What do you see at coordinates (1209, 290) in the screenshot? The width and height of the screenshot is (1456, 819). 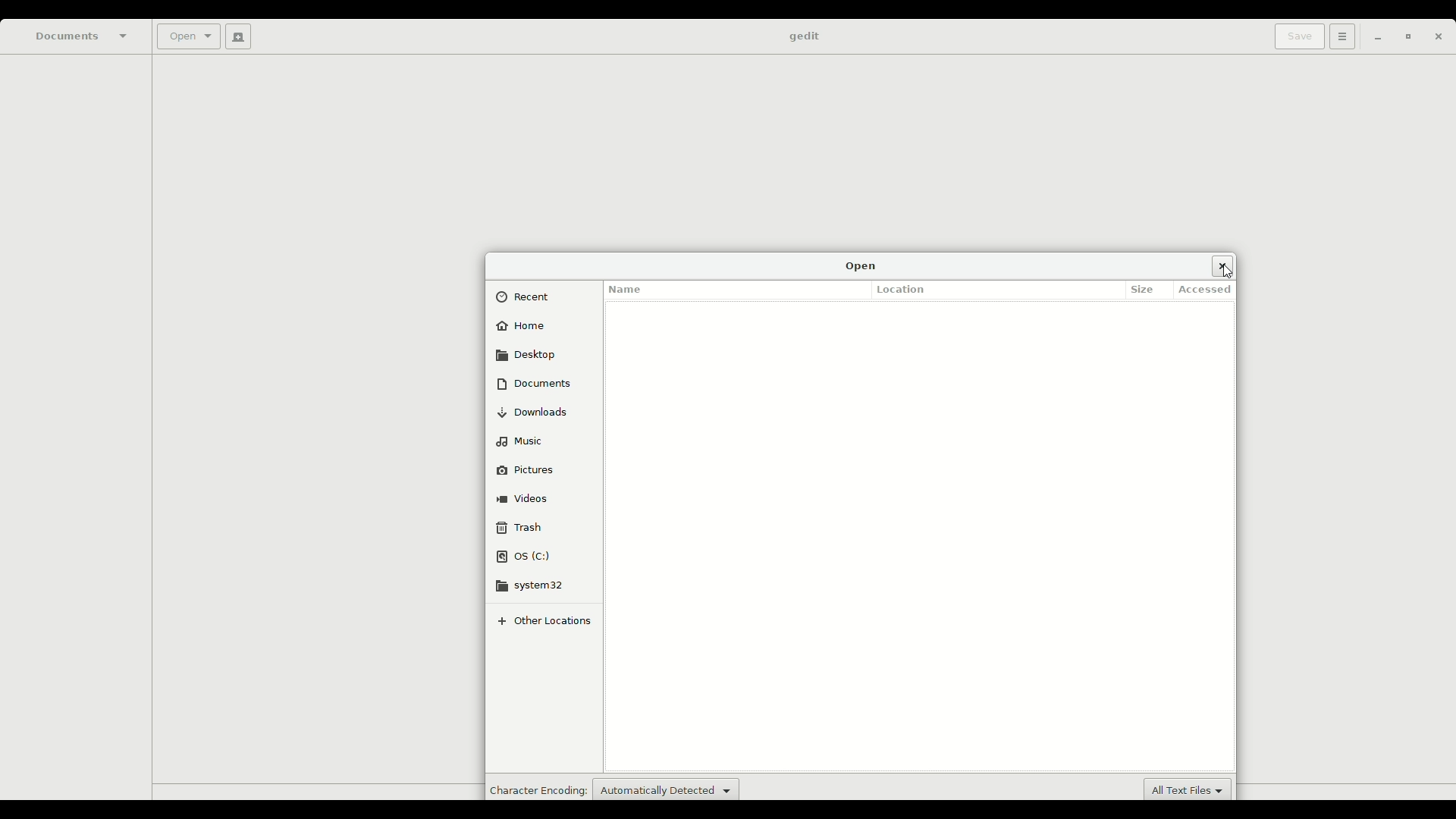 I see `Accessed` at bounding box center [1209, 290].